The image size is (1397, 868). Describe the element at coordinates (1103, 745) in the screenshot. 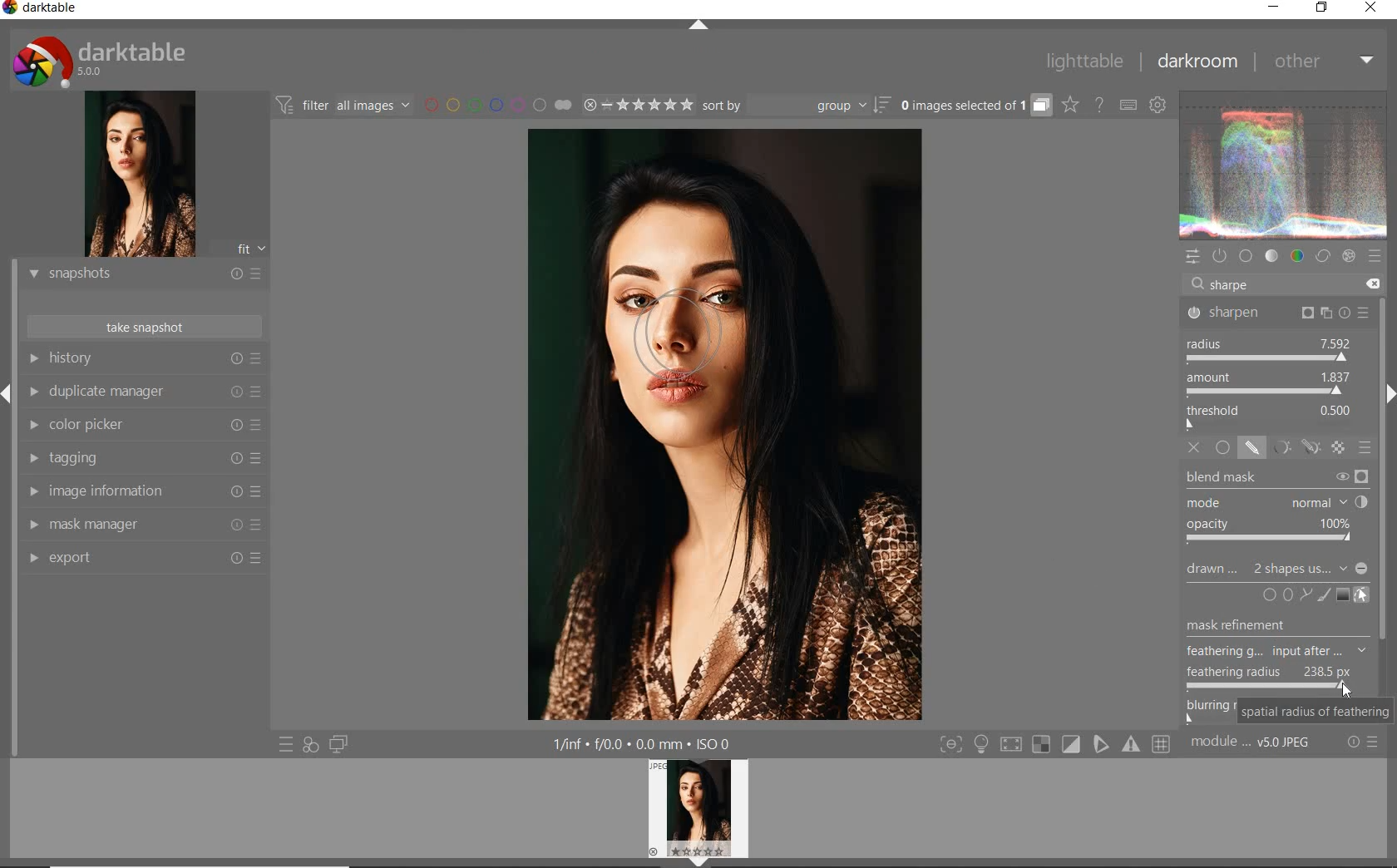

I see `sign` at that location.